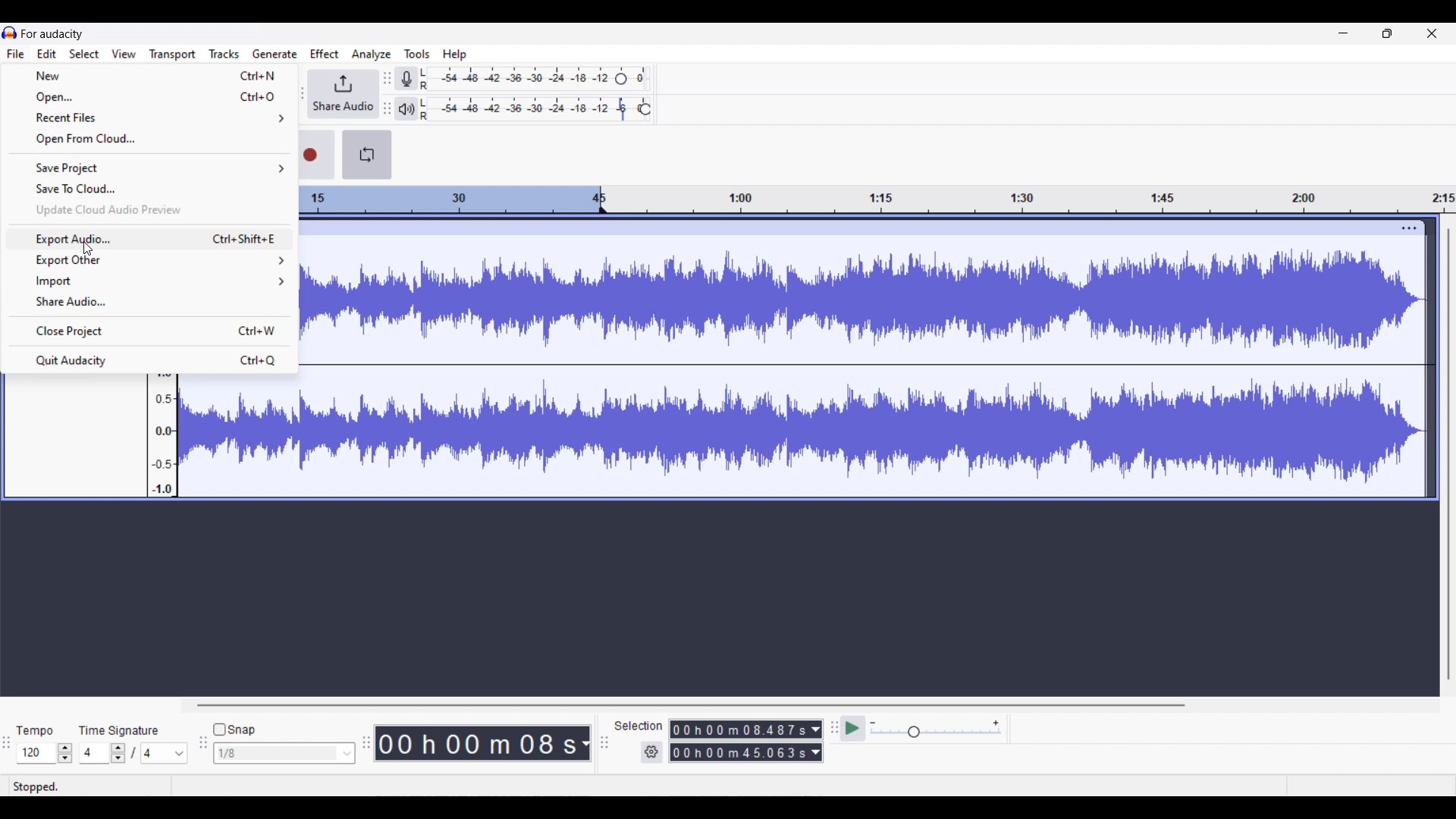  What do you see at coordinates (36, 786) in the screenshot?
I see `Current status of track` at bounding box center [36, 786].